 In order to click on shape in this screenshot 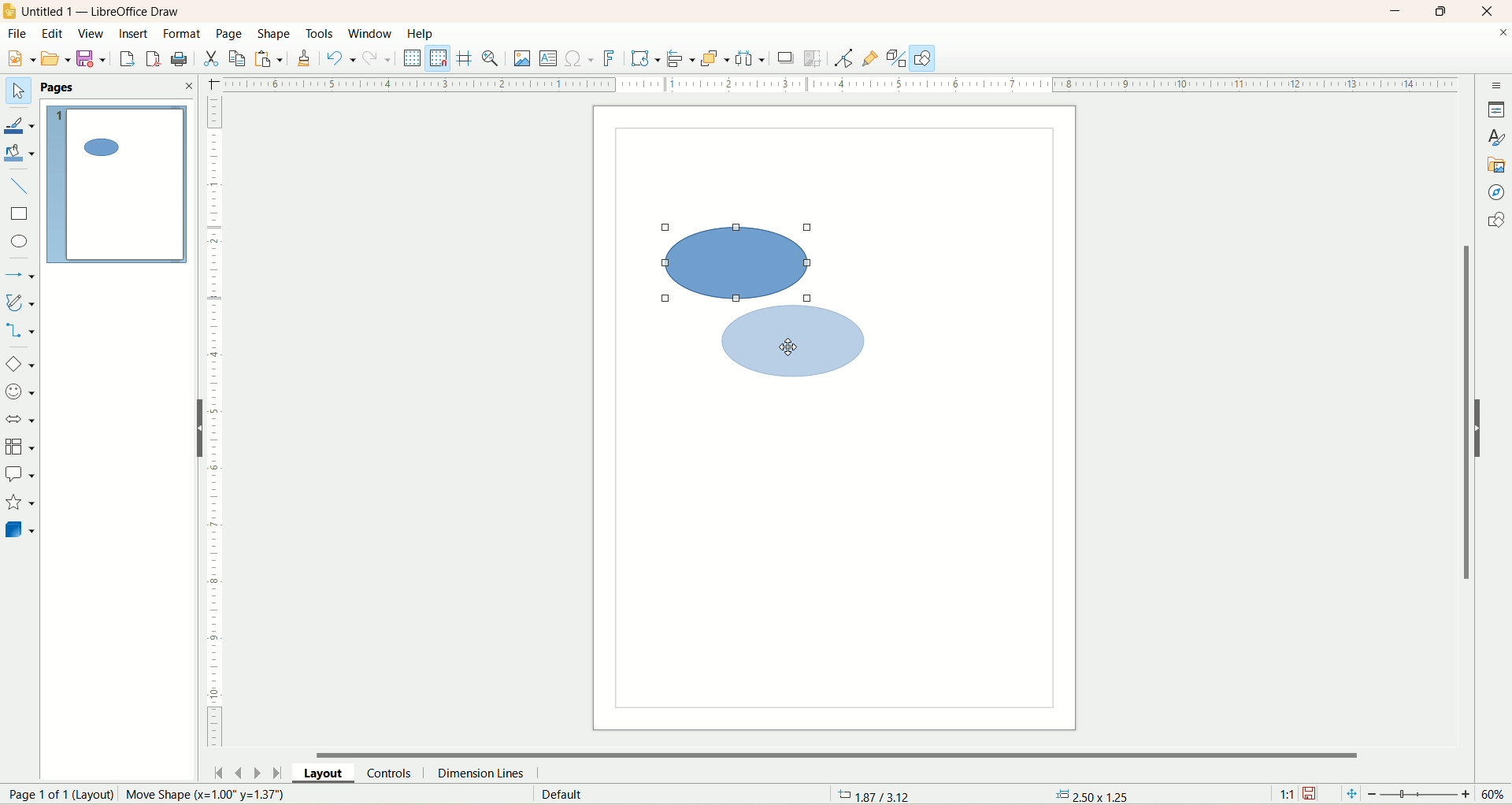, I will do `click(276, 33)`.